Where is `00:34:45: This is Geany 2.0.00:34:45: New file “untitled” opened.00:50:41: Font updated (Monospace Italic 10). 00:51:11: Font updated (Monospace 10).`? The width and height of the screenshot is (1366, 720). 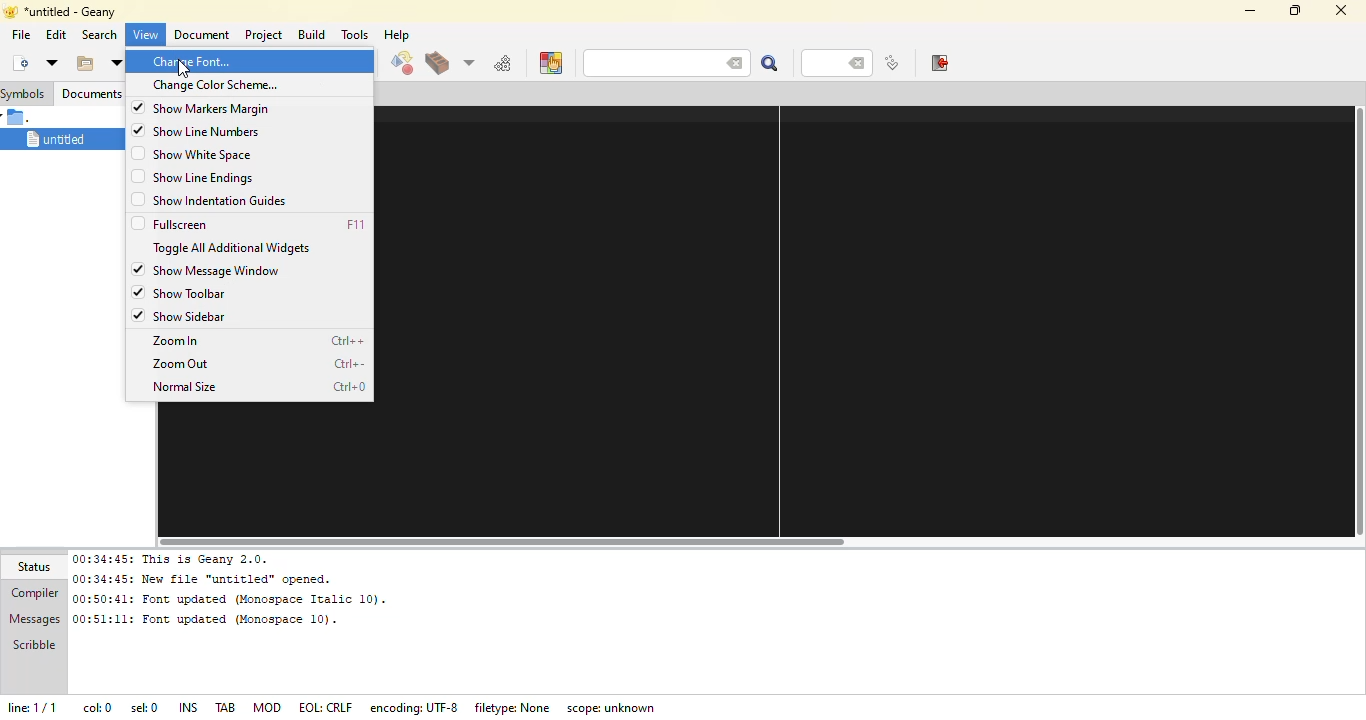 00:34:45: This is Geany 2.0.00:34:45: New file “untitled” opened.00:50:41: Font updated (Monospace Italic 10). 00:51:11: Font updated (Monospace 10). is located at coordinates (228, 589).